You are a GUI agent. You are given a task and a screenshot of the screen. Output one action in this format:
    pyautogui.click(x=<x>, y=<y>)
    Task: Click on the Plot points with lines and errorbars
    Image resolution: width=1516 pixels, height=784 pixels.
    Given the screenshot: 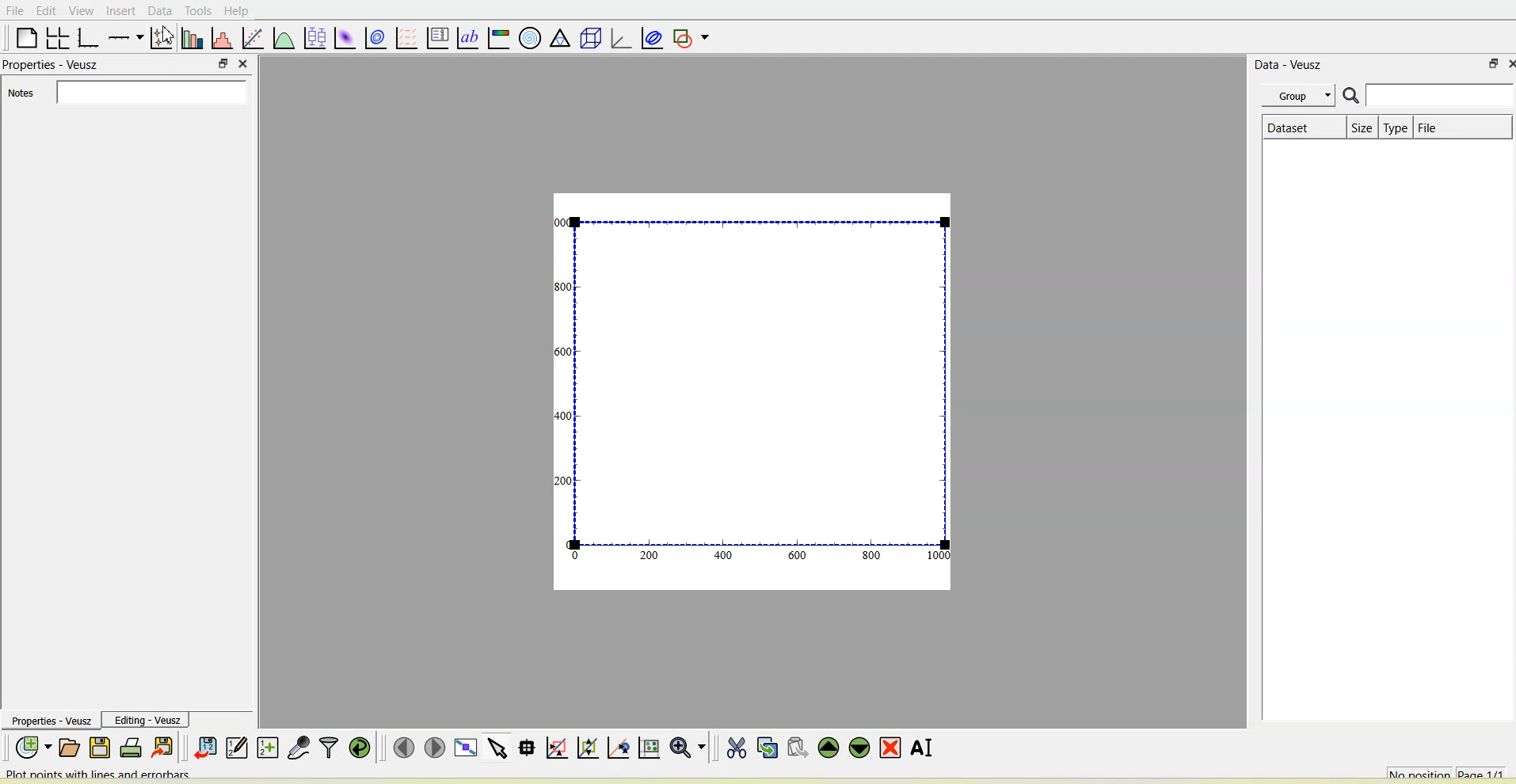 What is the action you would take?
    pyautogui.click(x=162, y=36)
    